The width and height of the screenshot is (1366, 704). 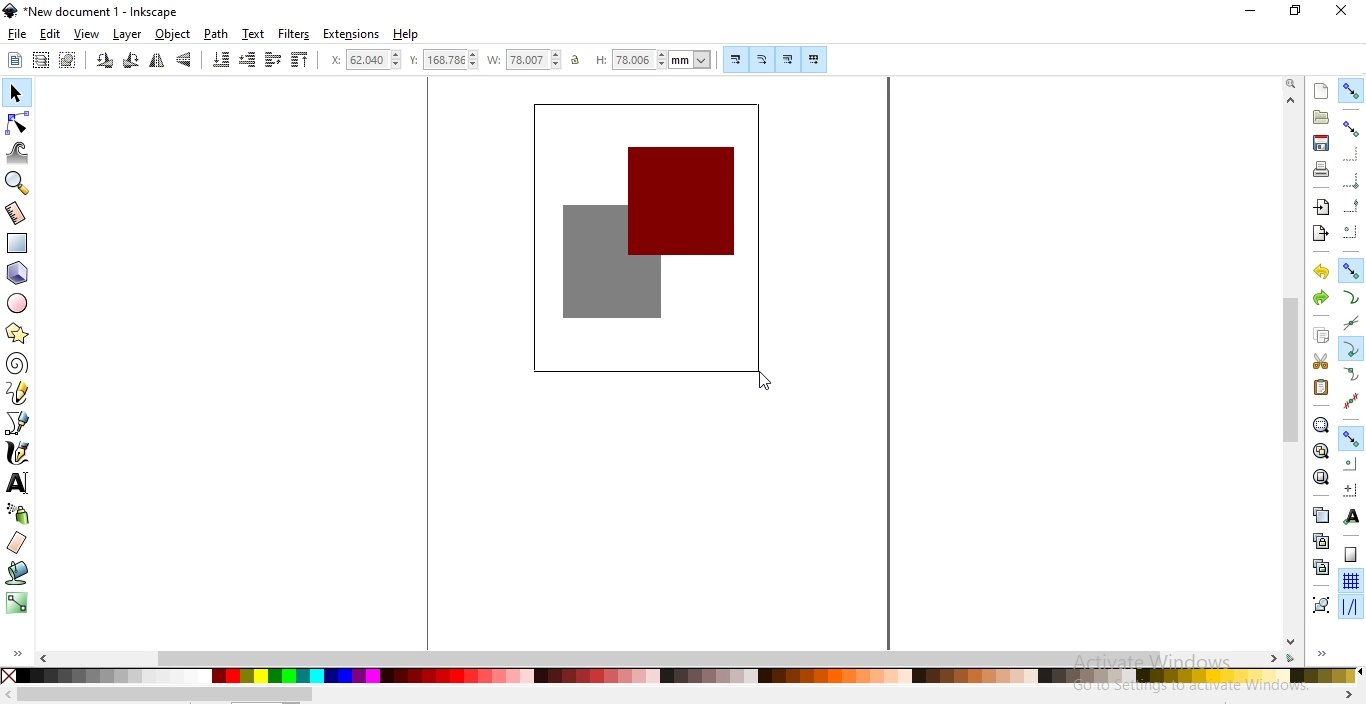 What do you see at coordinates (1292, 369) in the screenshot?
I see `scrollbar` at bounding box center [1292, 369].